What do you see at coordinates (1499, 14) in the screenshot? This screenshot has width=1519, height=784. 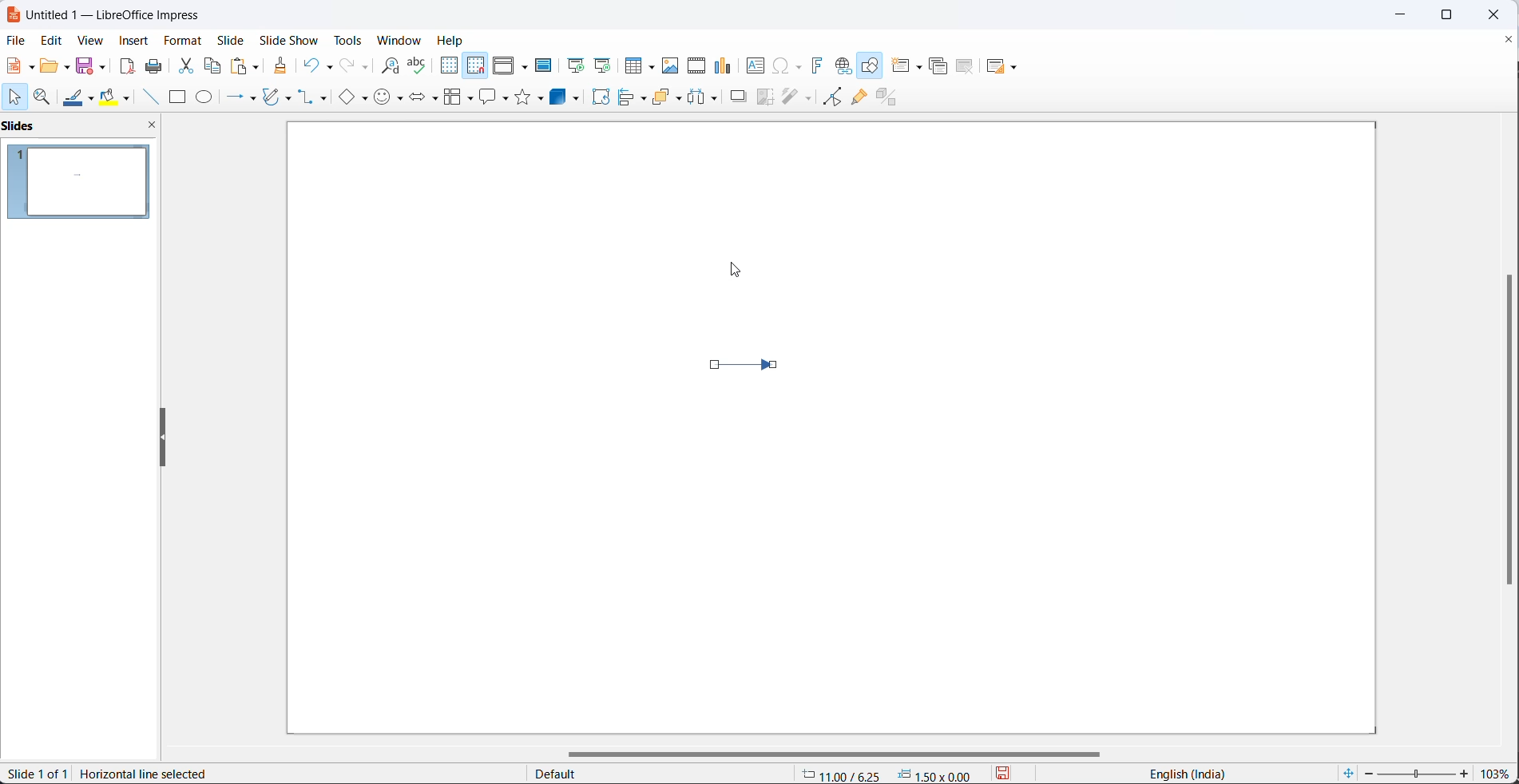 I see `close` at bounding box center [1499, 14].